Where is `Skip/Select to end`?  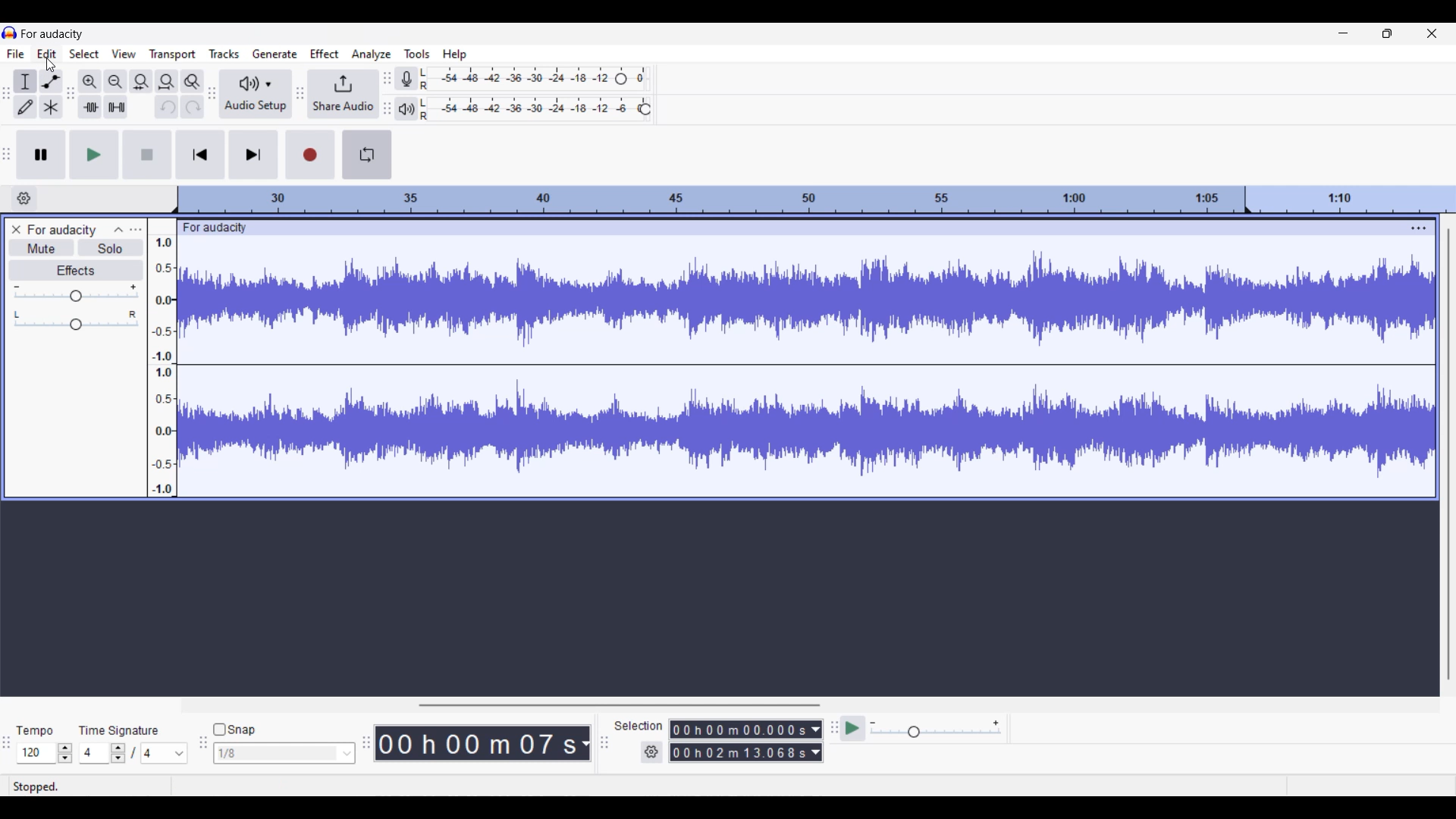
Skip/Select to end is located at coordinates (254, 155).